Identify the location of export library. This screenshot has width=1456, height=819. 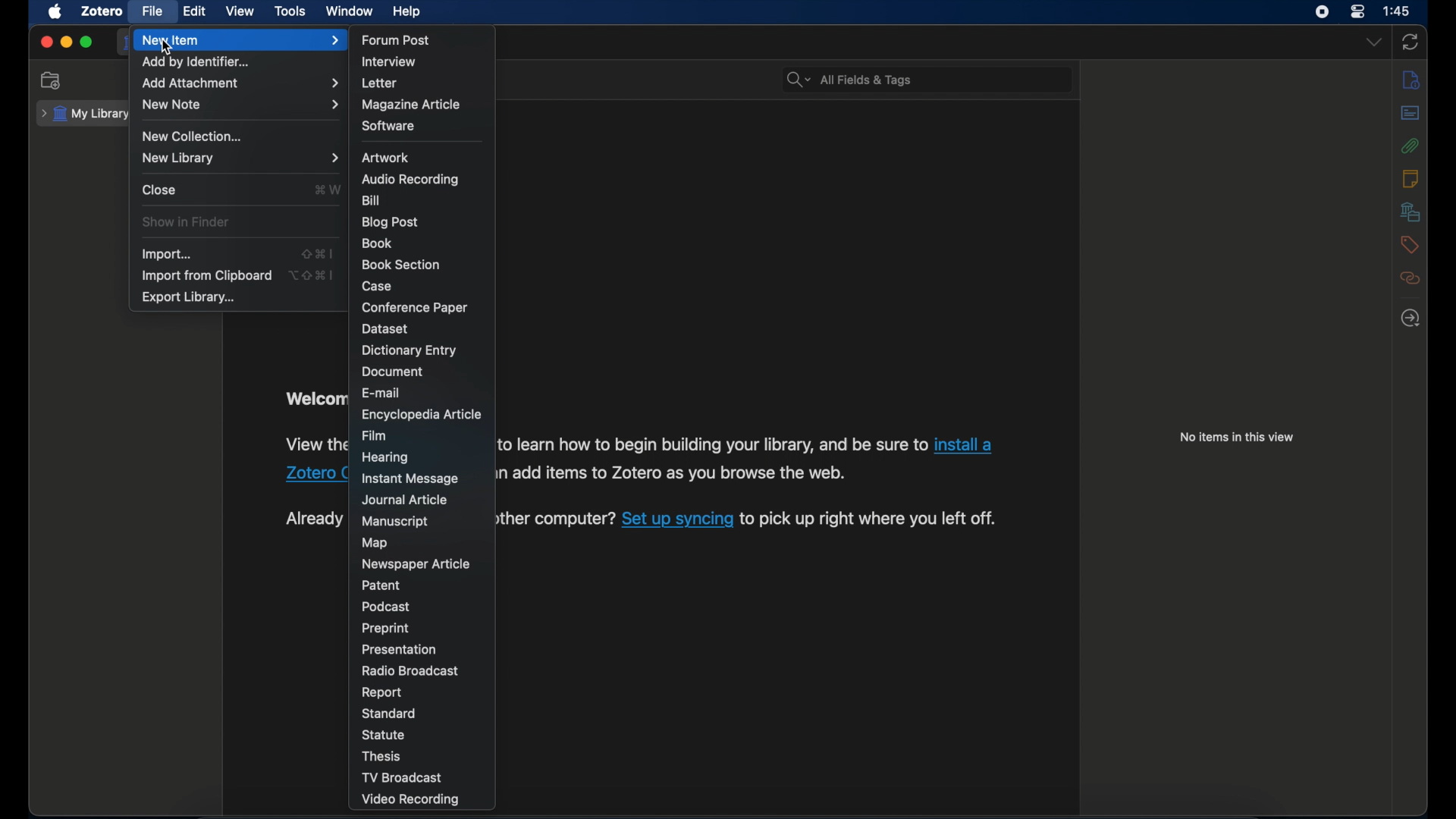
(190, 297).